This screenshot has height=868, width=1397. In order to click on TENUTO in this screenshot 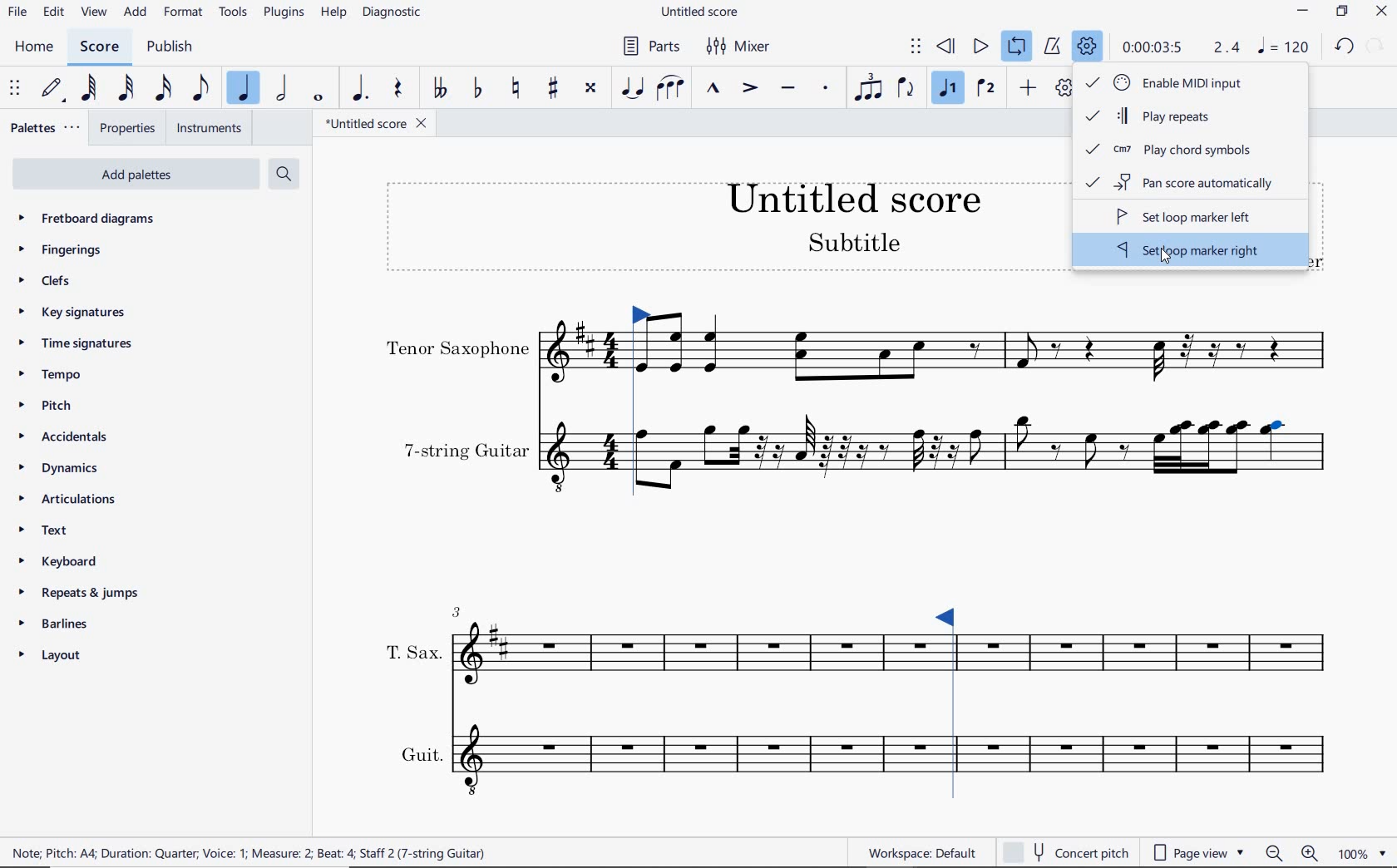, I will do `click(787, 90)`.